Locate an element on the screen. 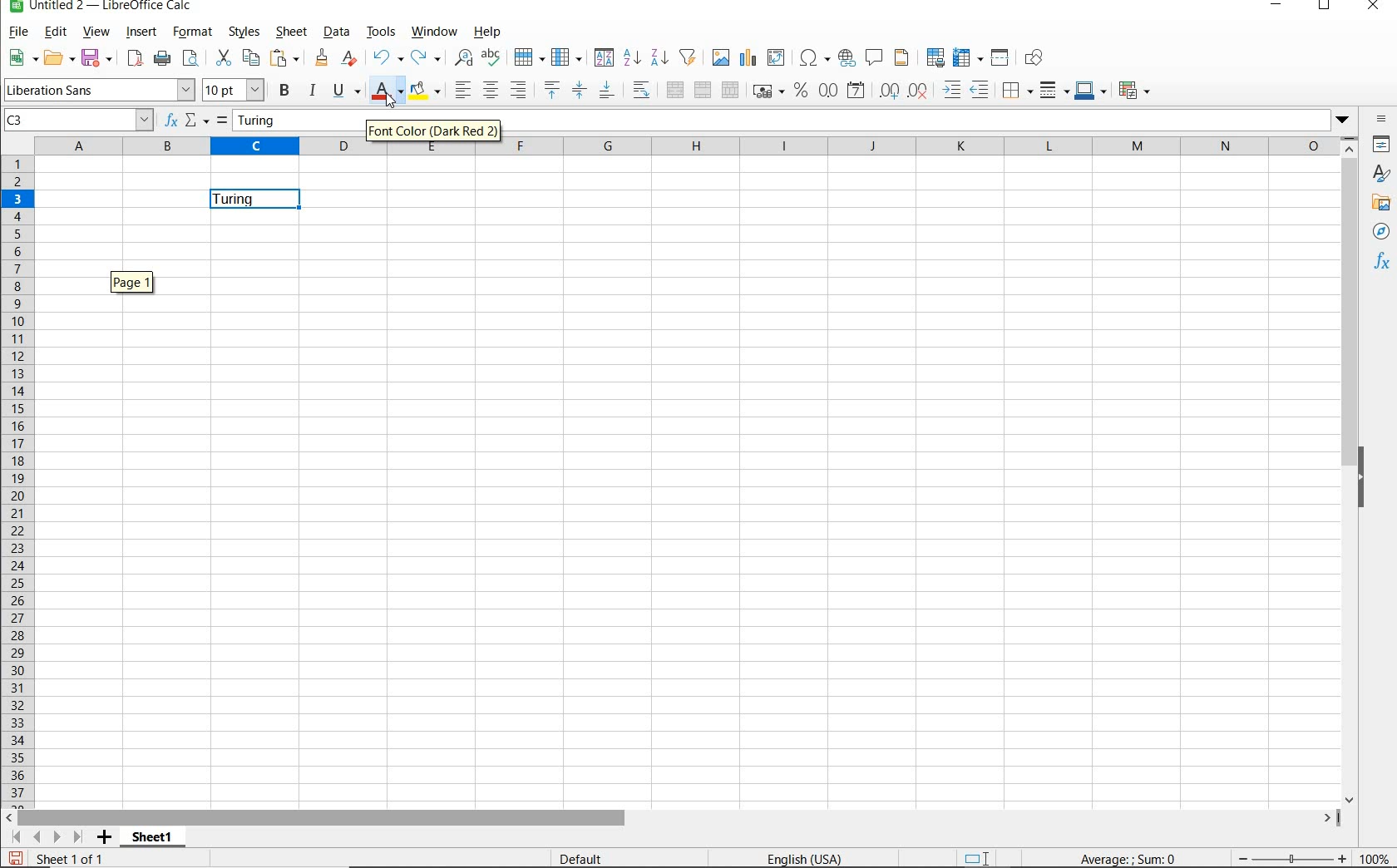 The height and width of the screenshot is (868, 1397). CONDITIONAL is located at coordinates (1136, 91).